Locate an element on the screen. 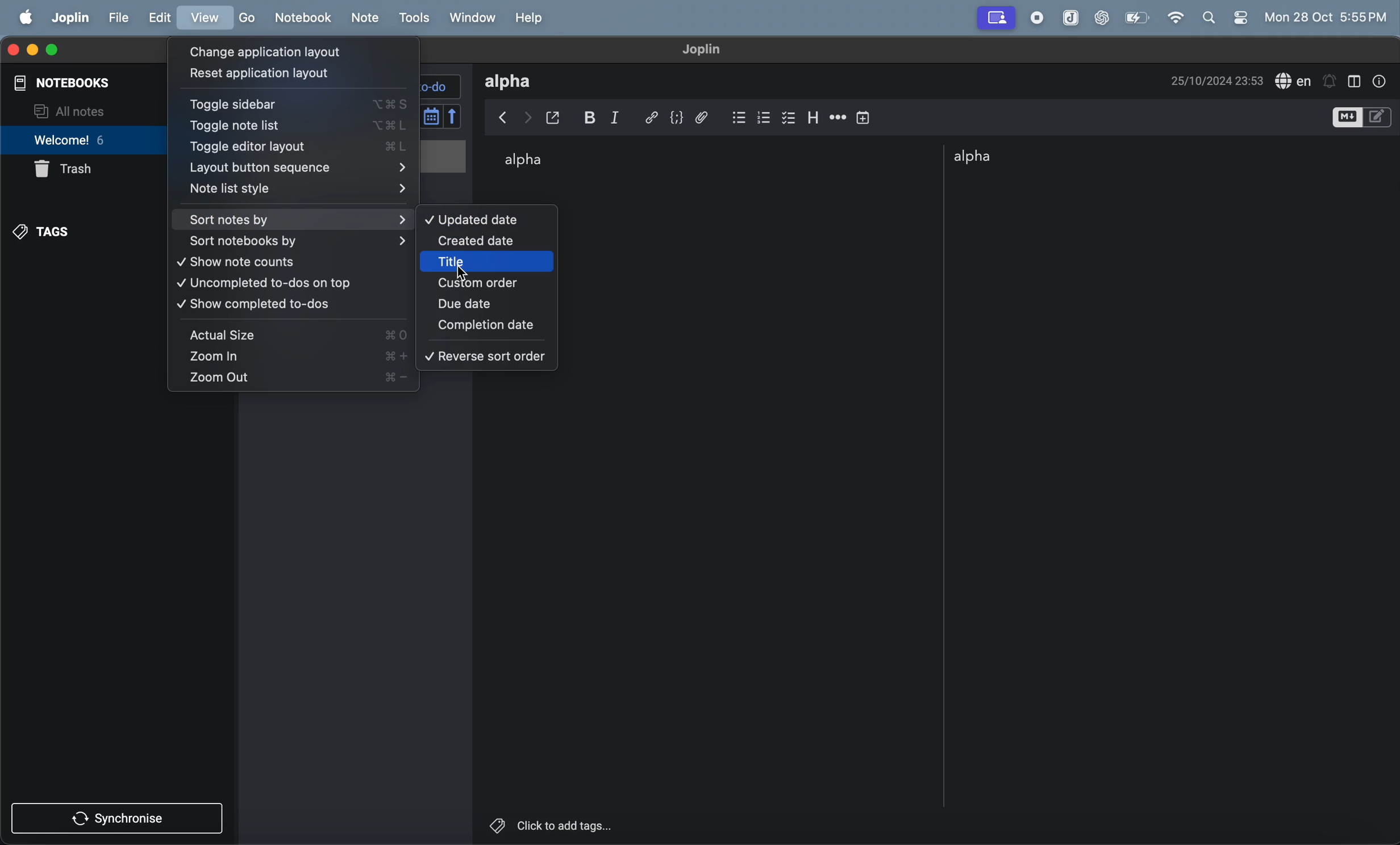 This screenshot has width=1400, height=845. show completed to dos is located at coordinates (283, 307).